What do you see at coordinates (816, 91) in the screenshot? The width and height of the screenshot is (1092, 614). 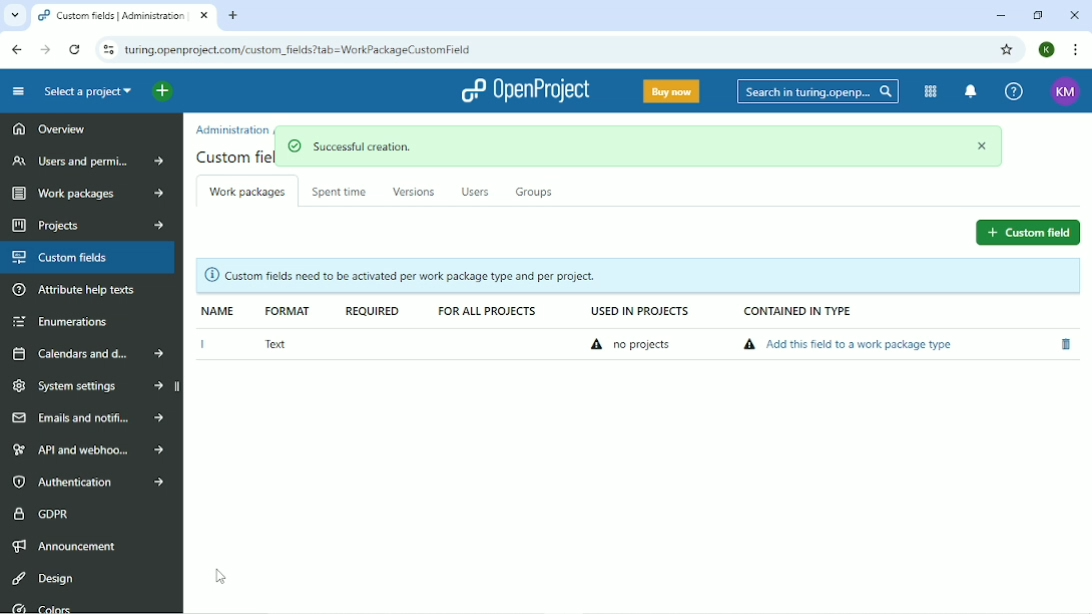 I see `Search in turing.openproject.com` at bounding box center [816, 91].